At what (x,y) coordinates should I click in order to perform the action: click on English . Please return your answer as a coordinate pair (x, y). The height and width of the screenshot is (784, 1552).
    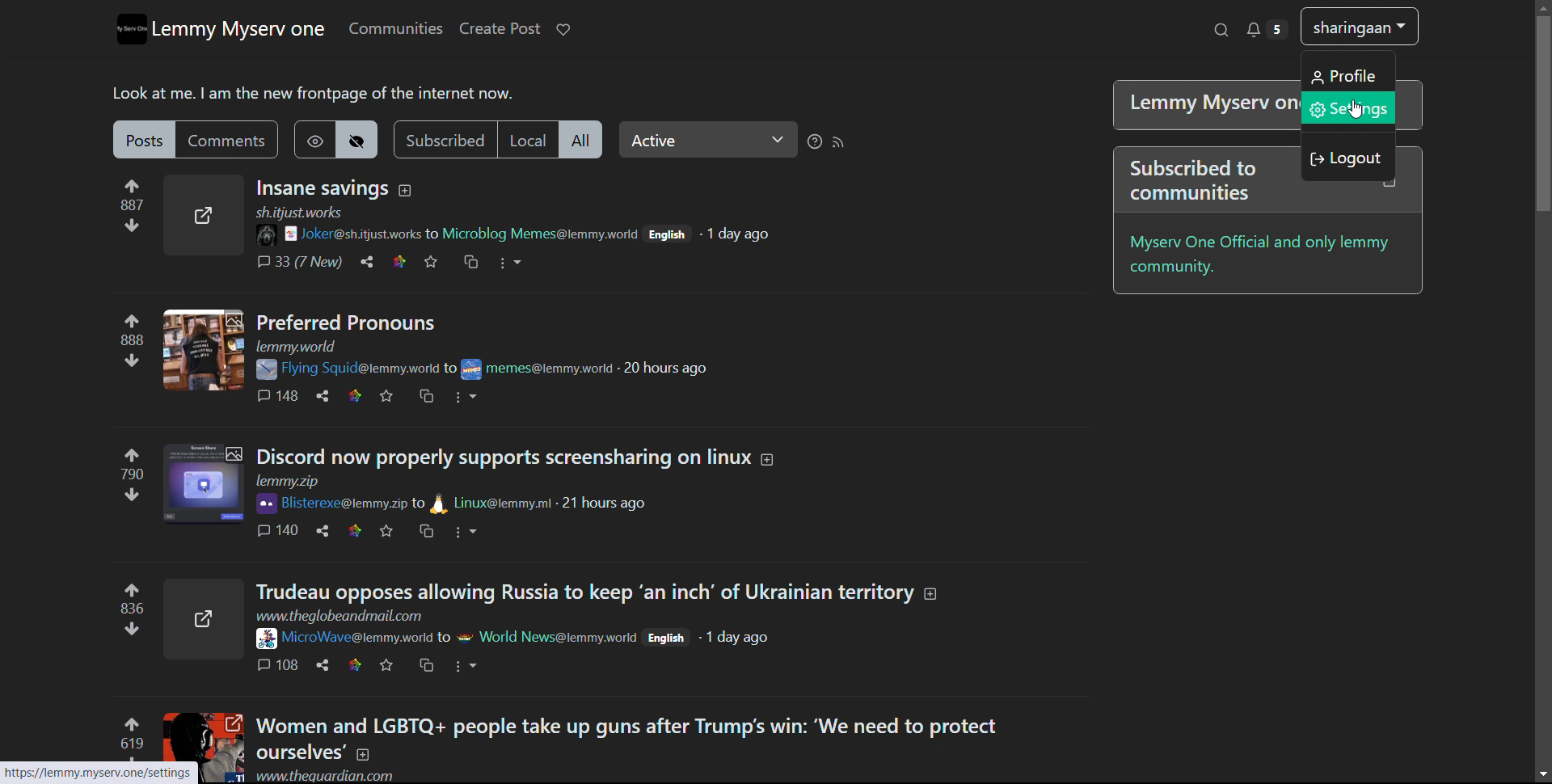
    Looking at the image, I should click on (666, 234).